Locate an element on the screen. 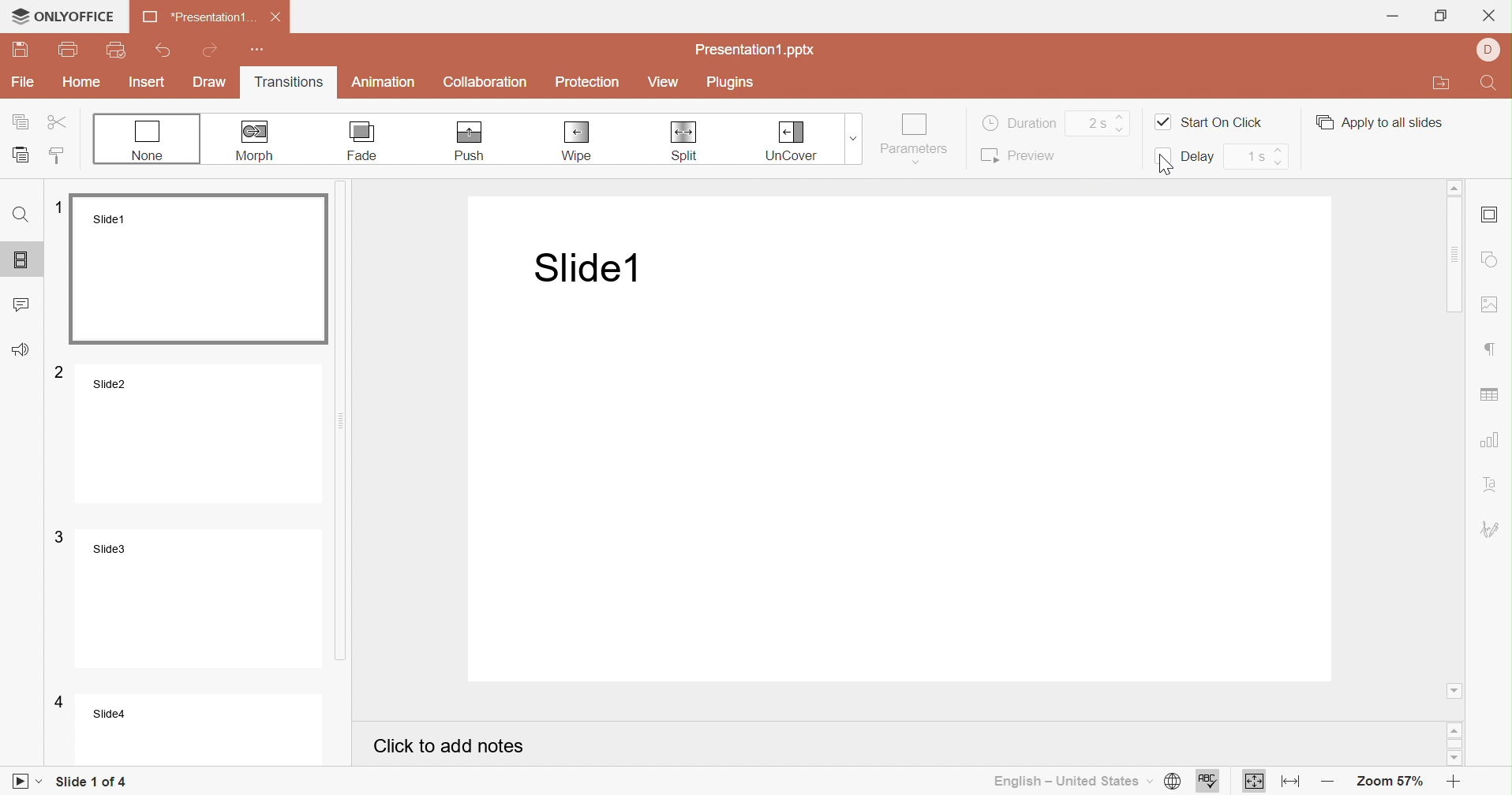 The height and width of the screenshot is (795, 1512). Push is located at coordinates (469, 142).